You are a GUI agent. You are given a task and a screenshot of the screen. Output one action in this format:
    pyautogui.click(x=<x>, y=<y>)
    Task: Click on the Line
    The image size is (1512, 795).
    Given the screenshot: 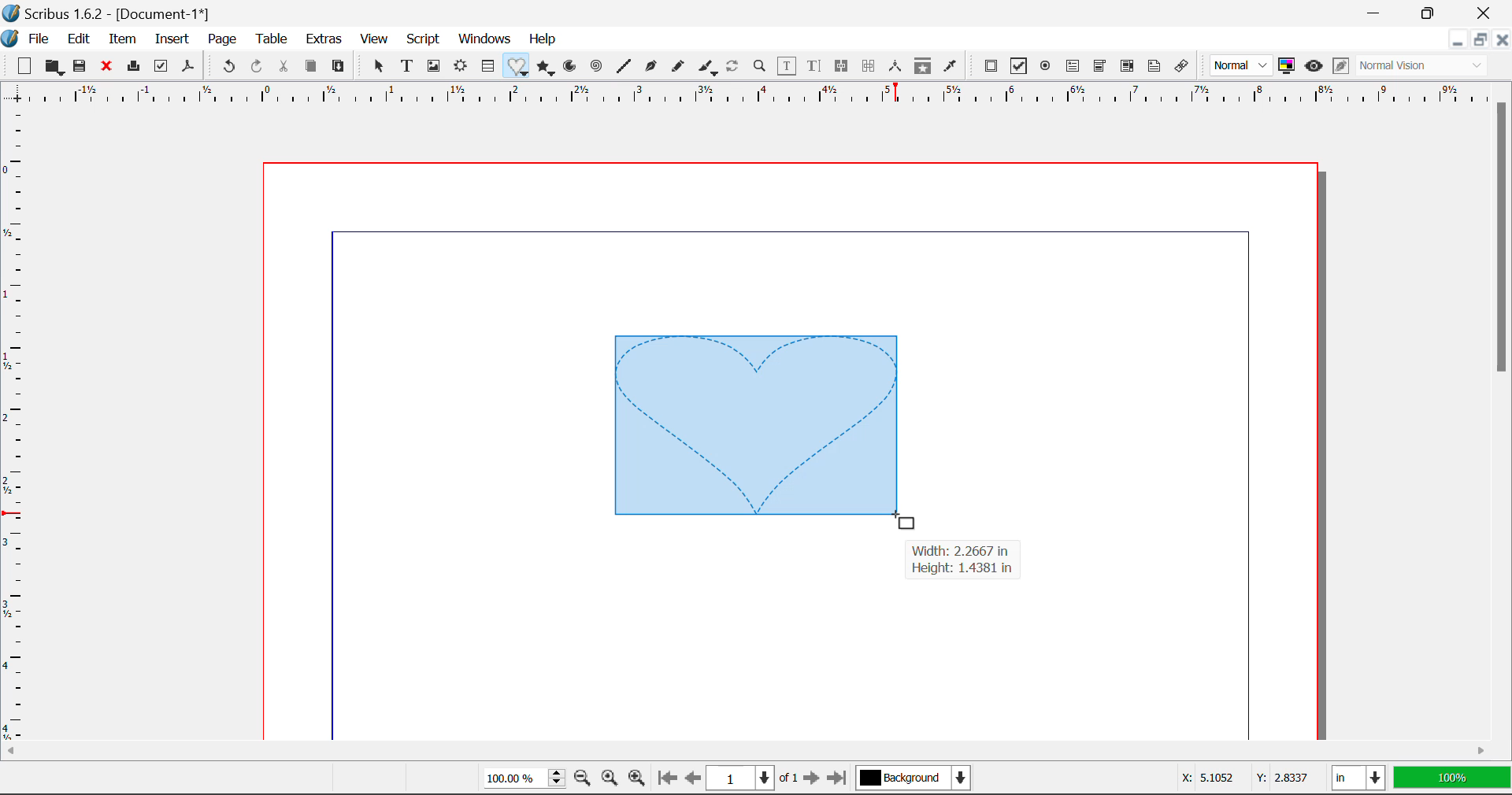 What is the action you would take?
    pyautogui.click(x=625, y=67)
    